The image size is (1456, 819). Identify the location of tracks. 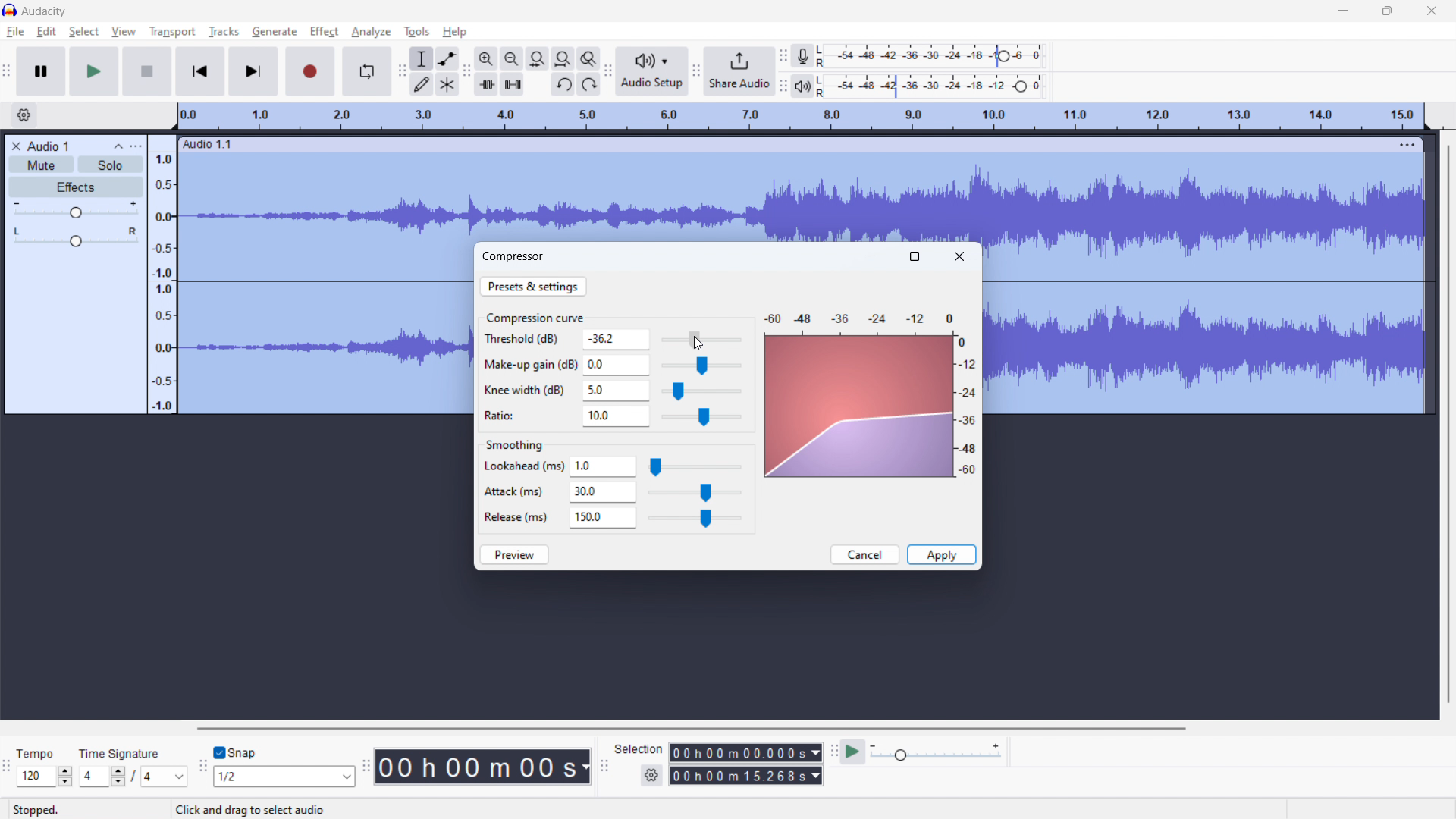
(223, 32).